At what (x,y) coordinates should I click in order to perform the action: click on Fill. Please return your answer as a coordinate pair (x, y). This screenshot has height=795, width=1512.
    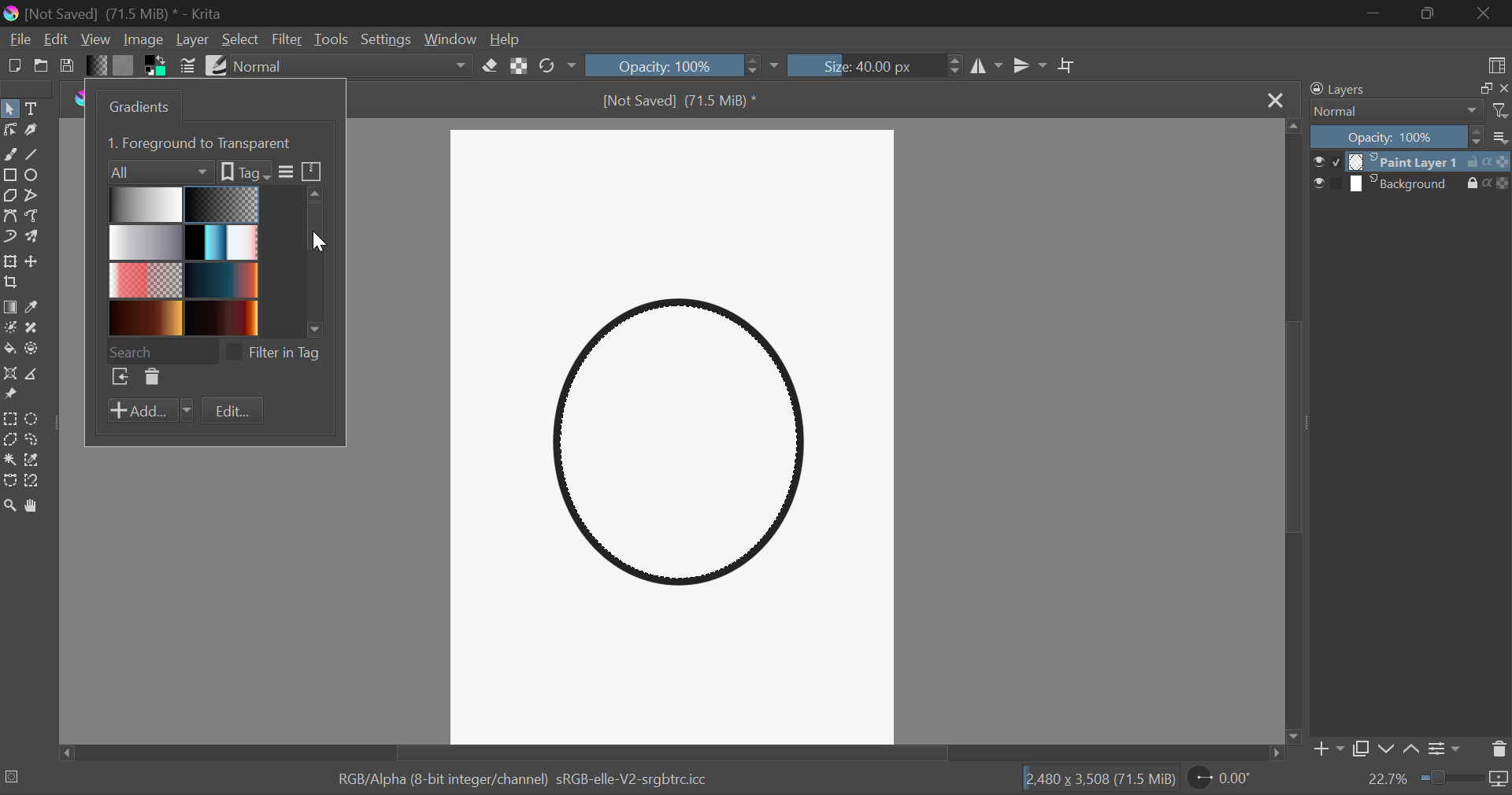
    Looking at the image, I should click on (10, 350).